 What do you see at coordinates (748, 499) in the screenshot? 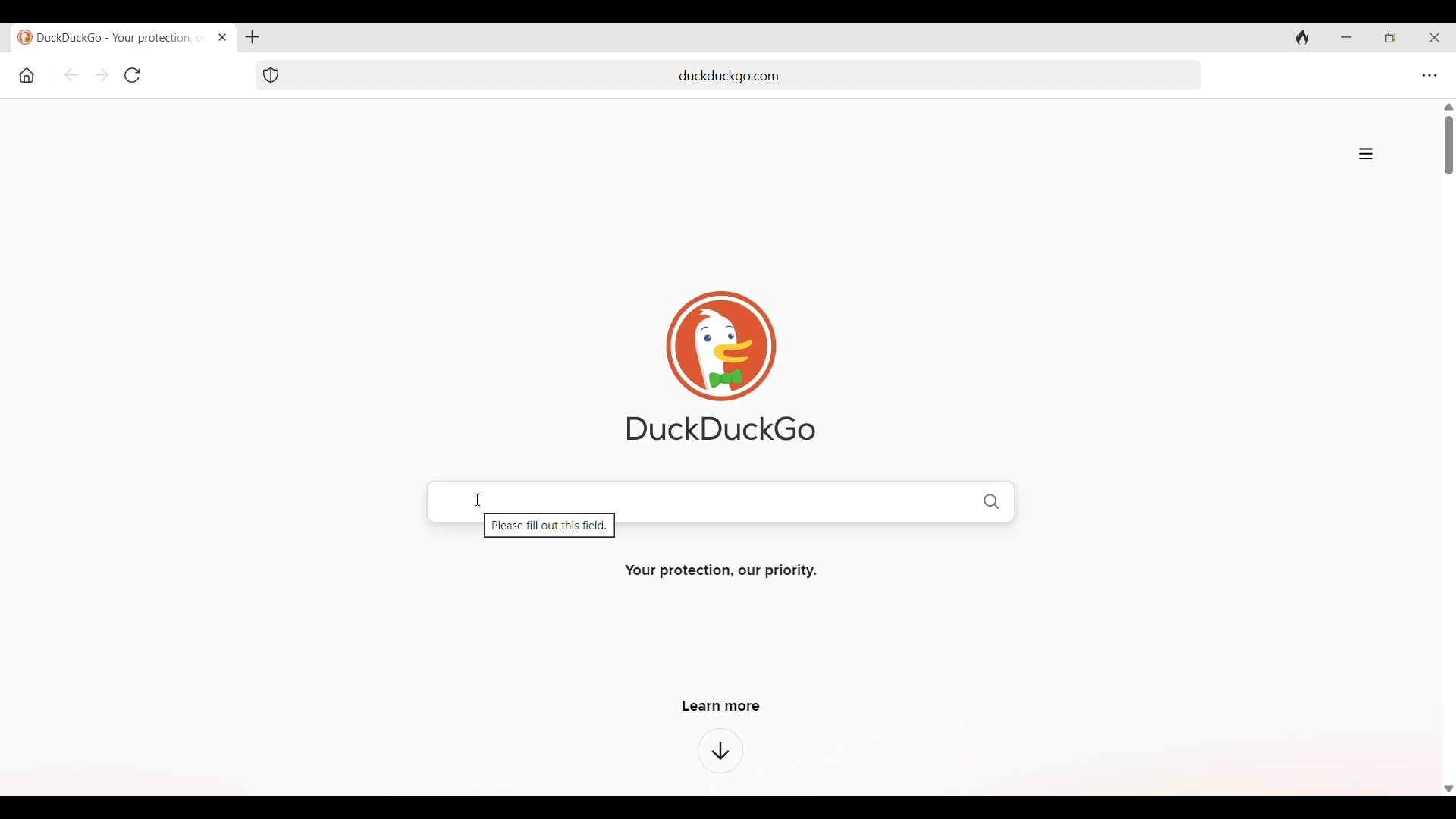
I see `Type in search query` at bounding box center [748, 499].